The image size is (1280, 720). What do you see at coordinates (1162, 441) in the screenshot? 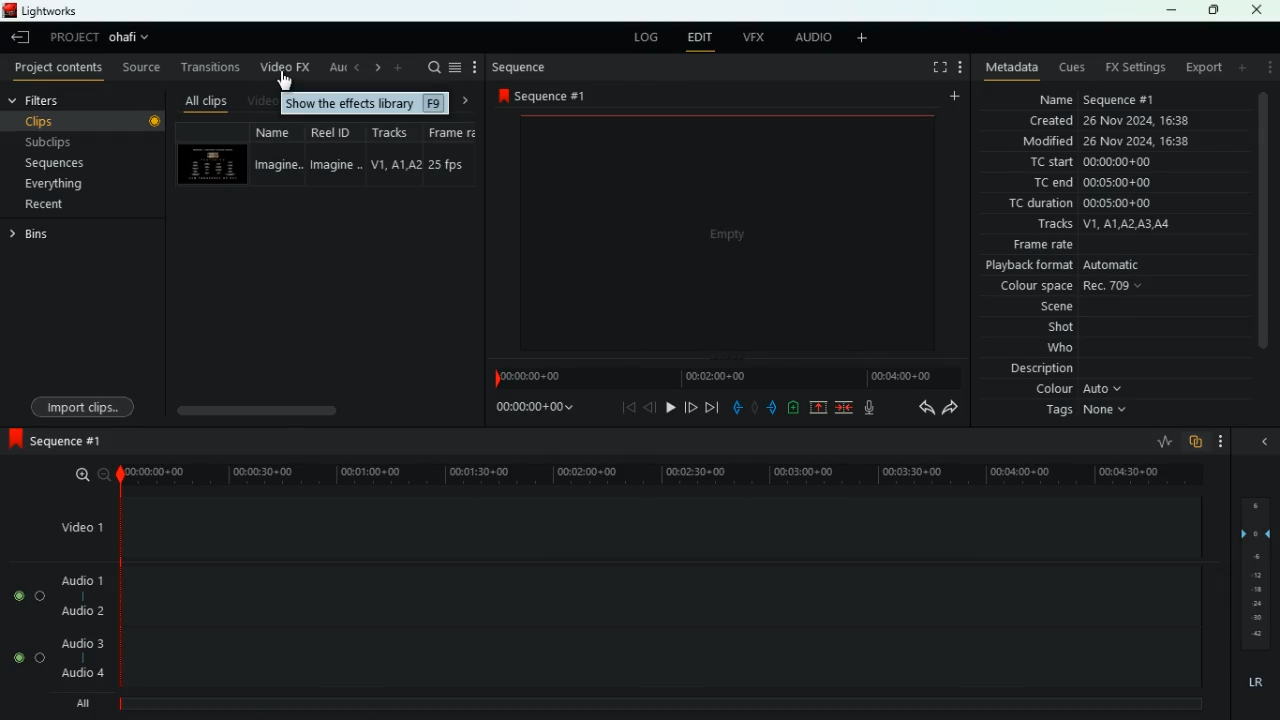
I see `ray` at bounding box center [1162, 441].